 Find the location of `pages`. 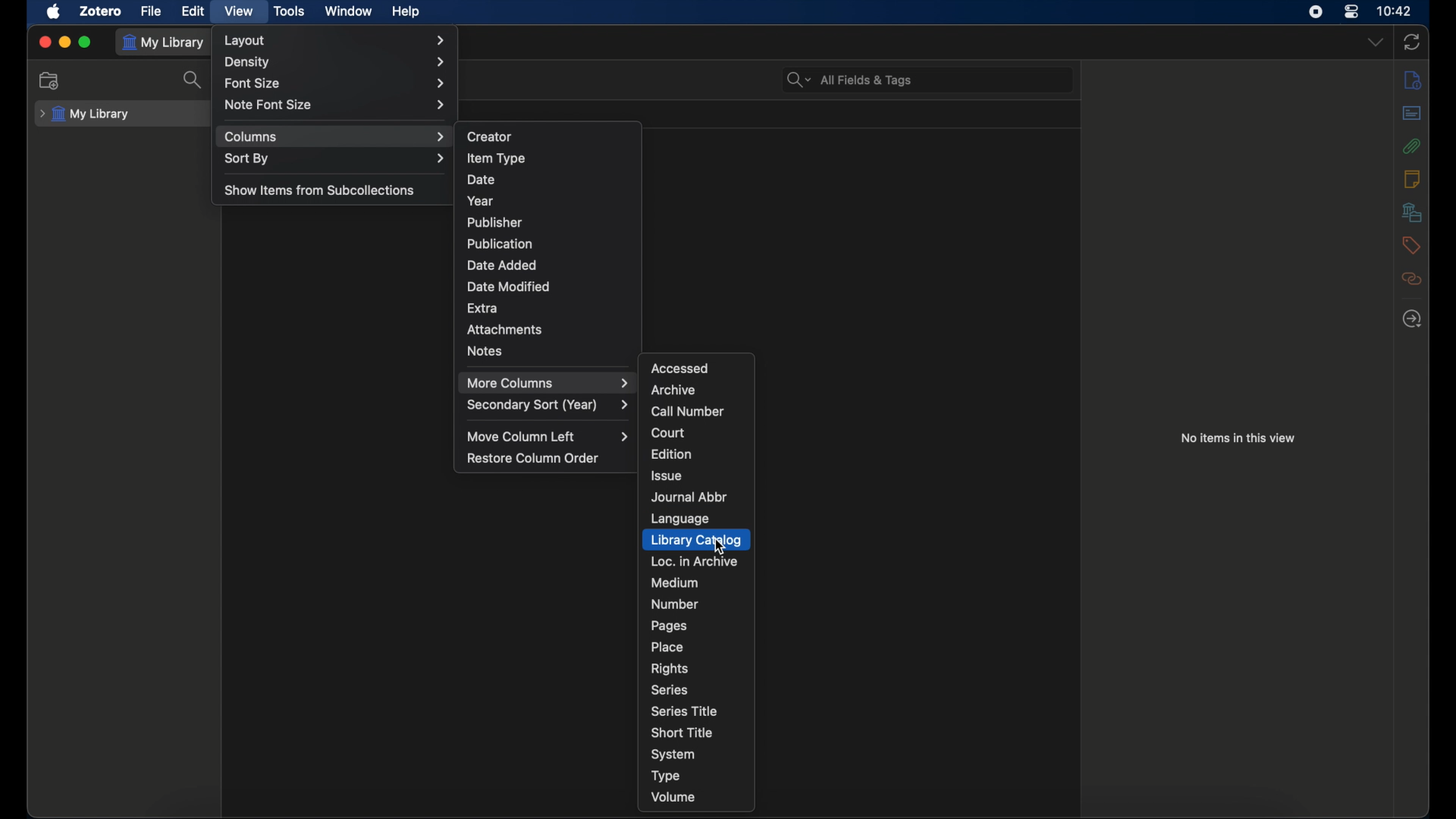

pages is located at coordinates (670, 626).